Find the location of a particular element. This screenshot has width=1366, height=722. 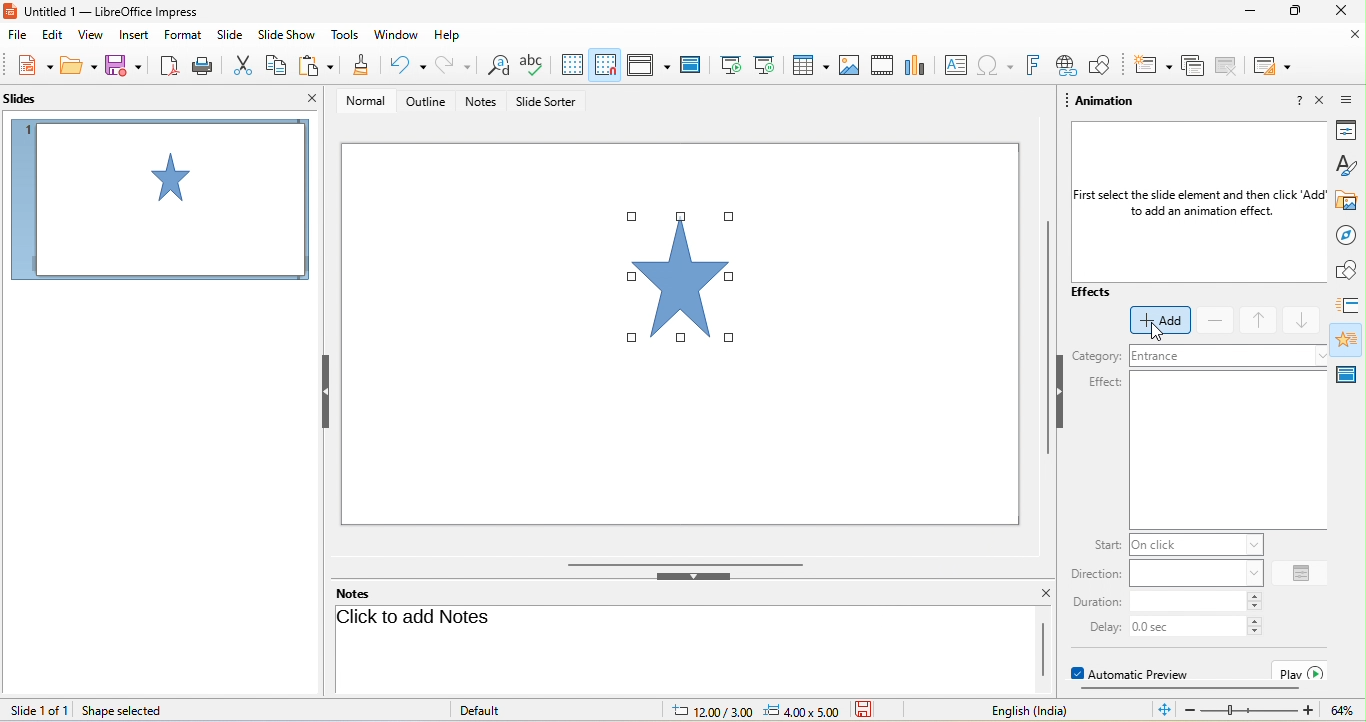

help is located at coordinates (448, 36).